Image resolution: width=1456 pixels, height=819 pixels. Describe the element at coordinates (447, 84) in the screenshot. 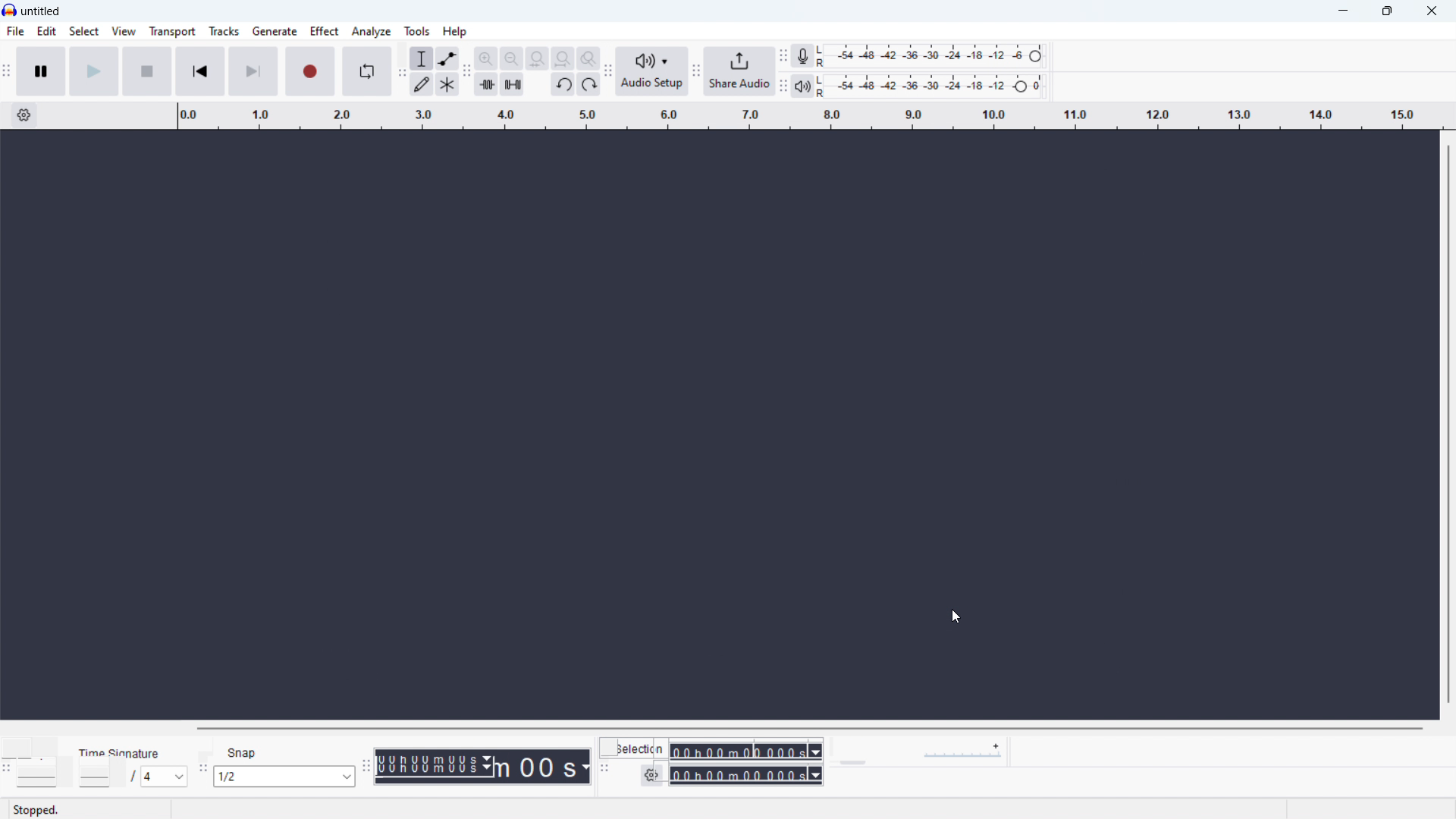

I see `multi tool` at that location.